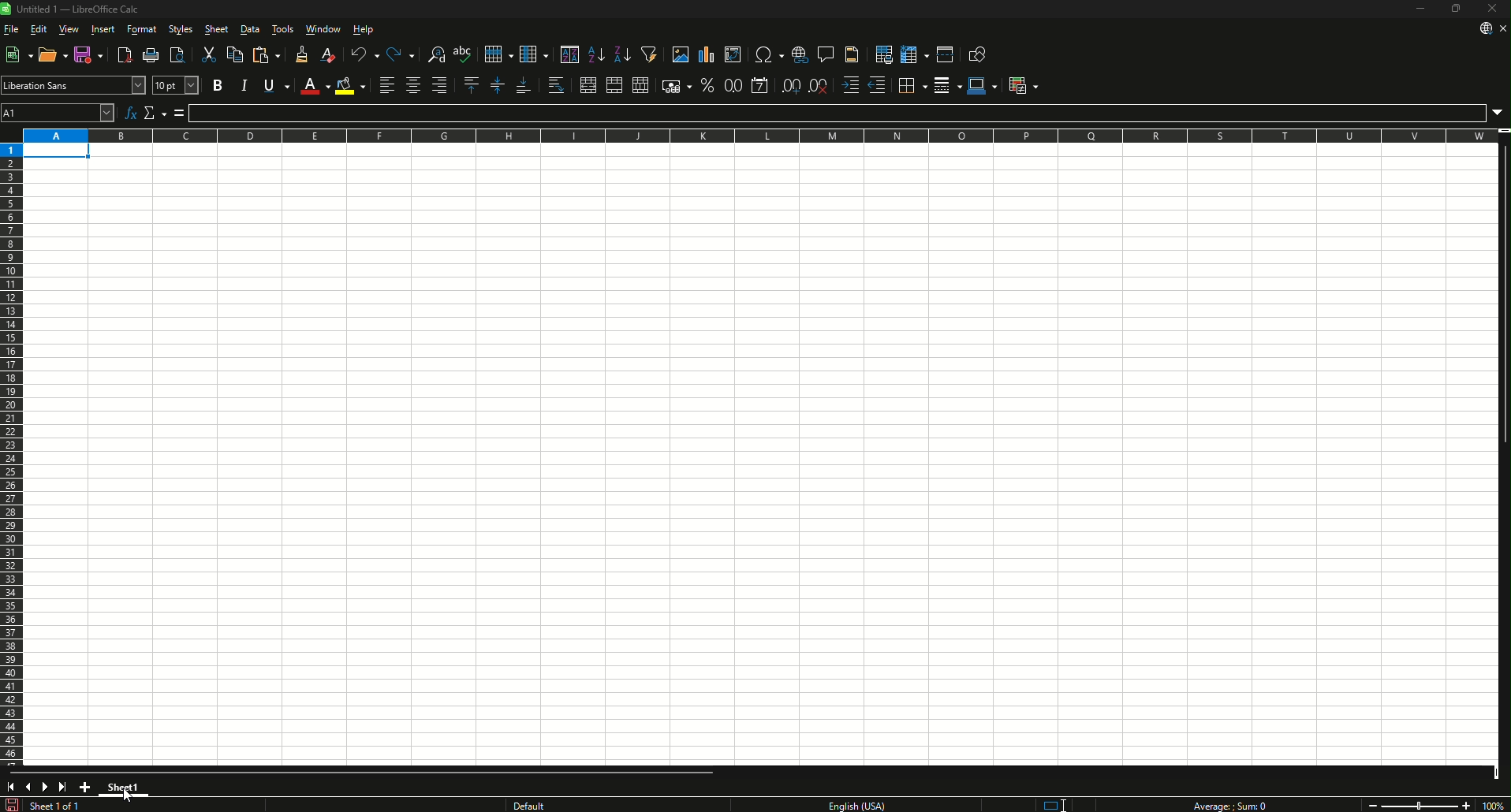 The width and height of the screenshot is (1511, 812). What do you see at coordinates (614, 85) in the screenshot?
I see `Merge Cells` at bounding box center [614, 85].